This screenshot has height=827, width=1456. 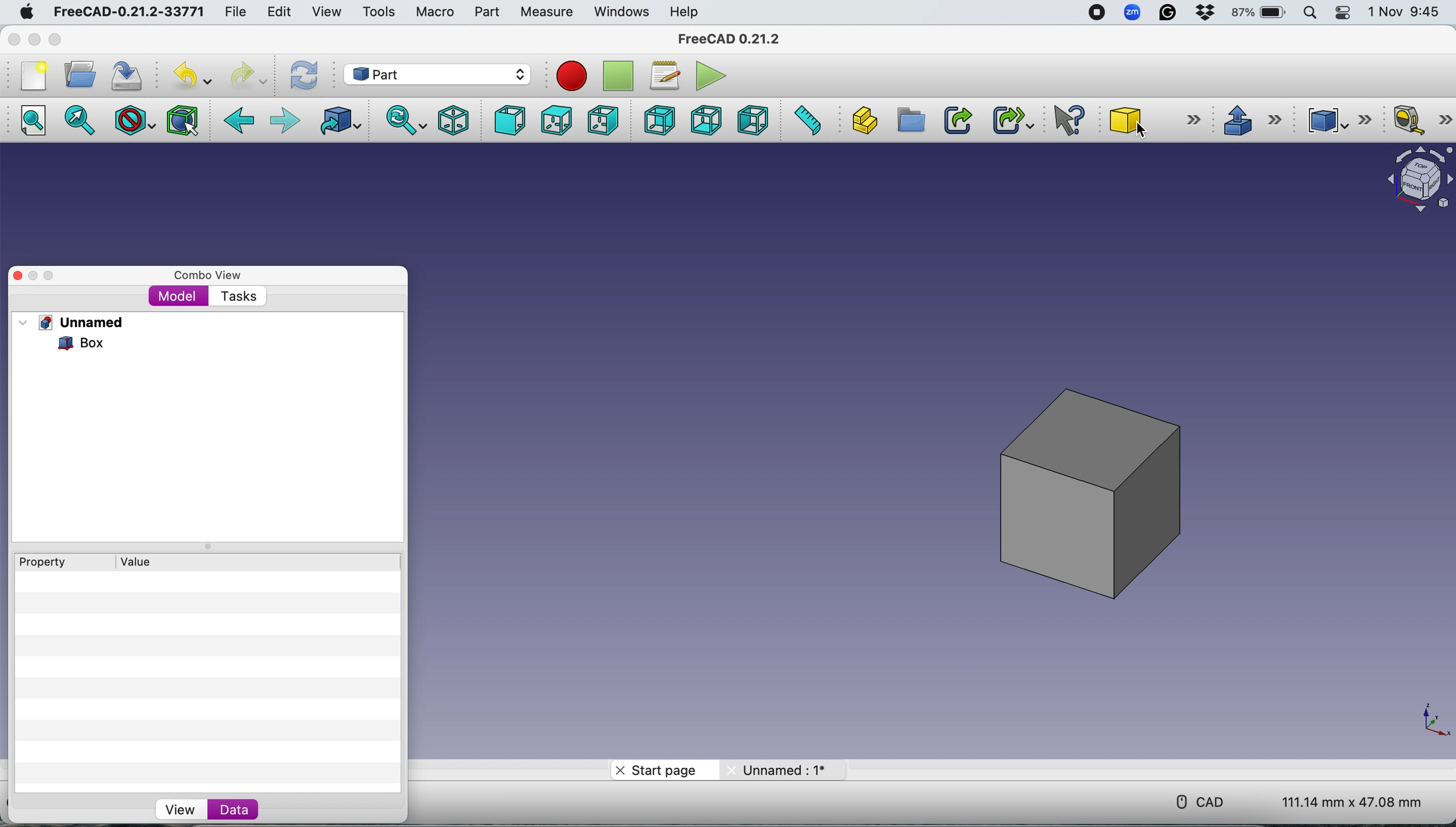 I want to click on Fit all, so click(x=39, y=122).